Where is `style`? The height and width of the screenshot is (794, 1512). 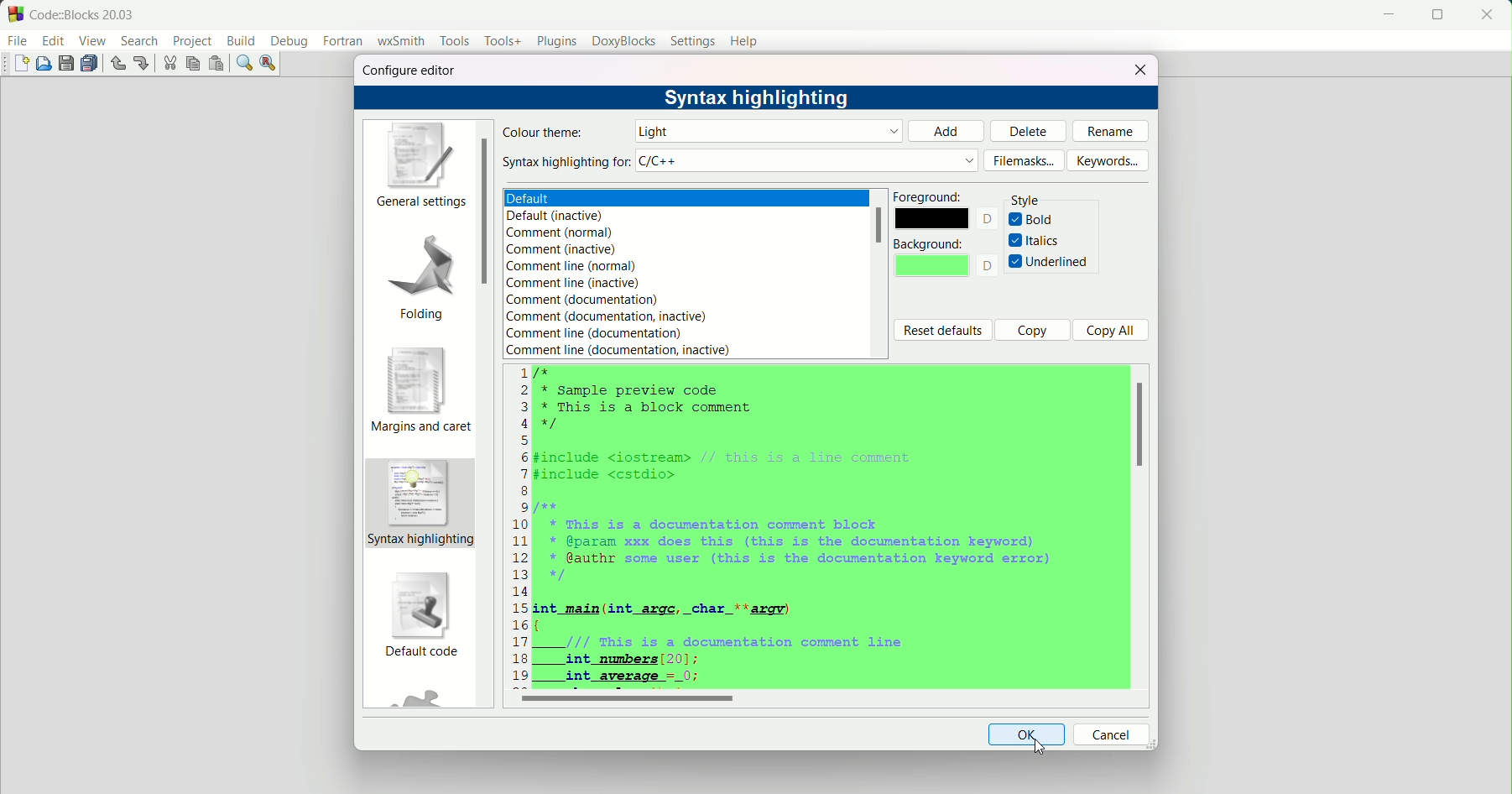
style is located at coordinates (1028, 201).